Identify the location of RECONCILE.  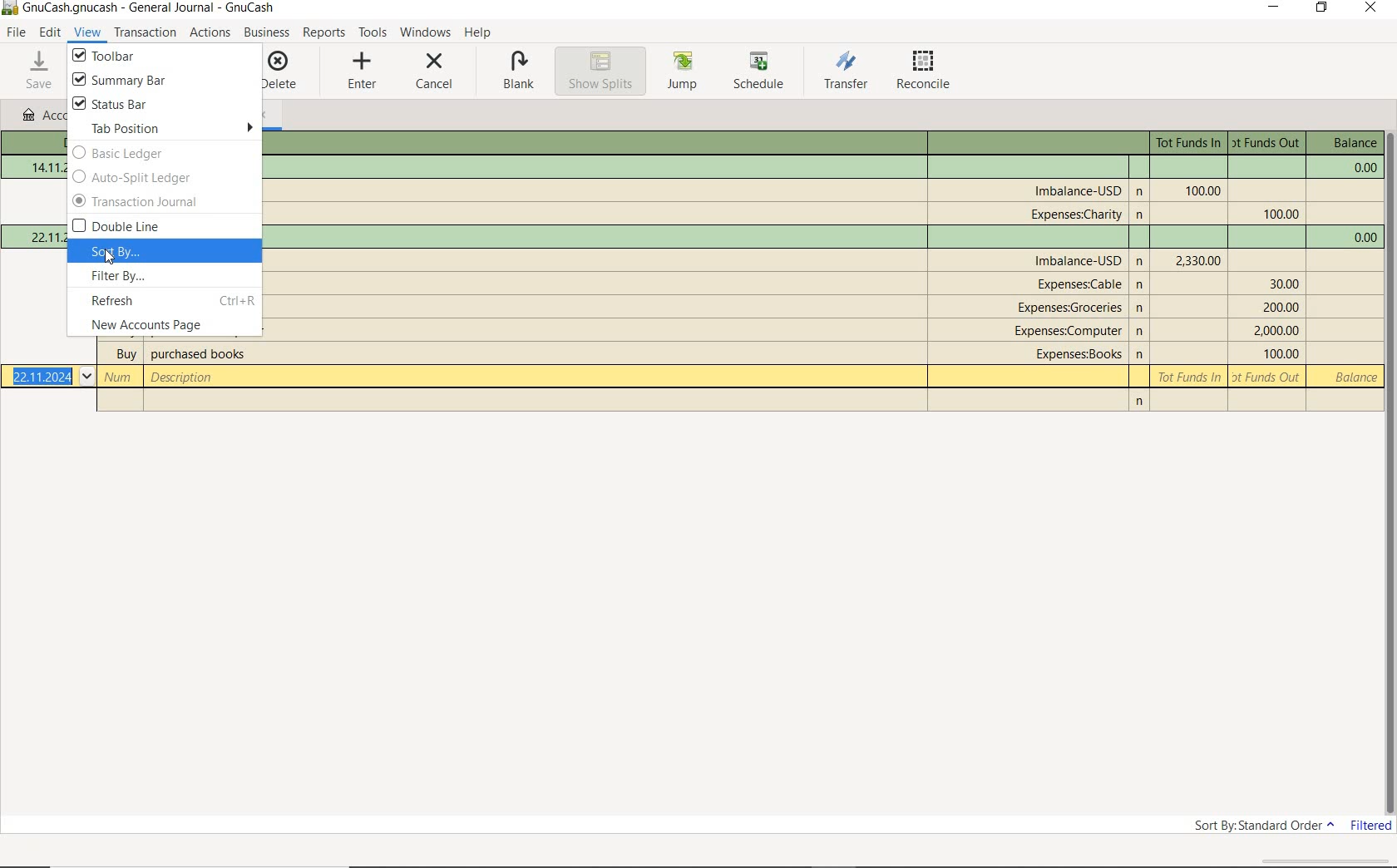
(923, 72).